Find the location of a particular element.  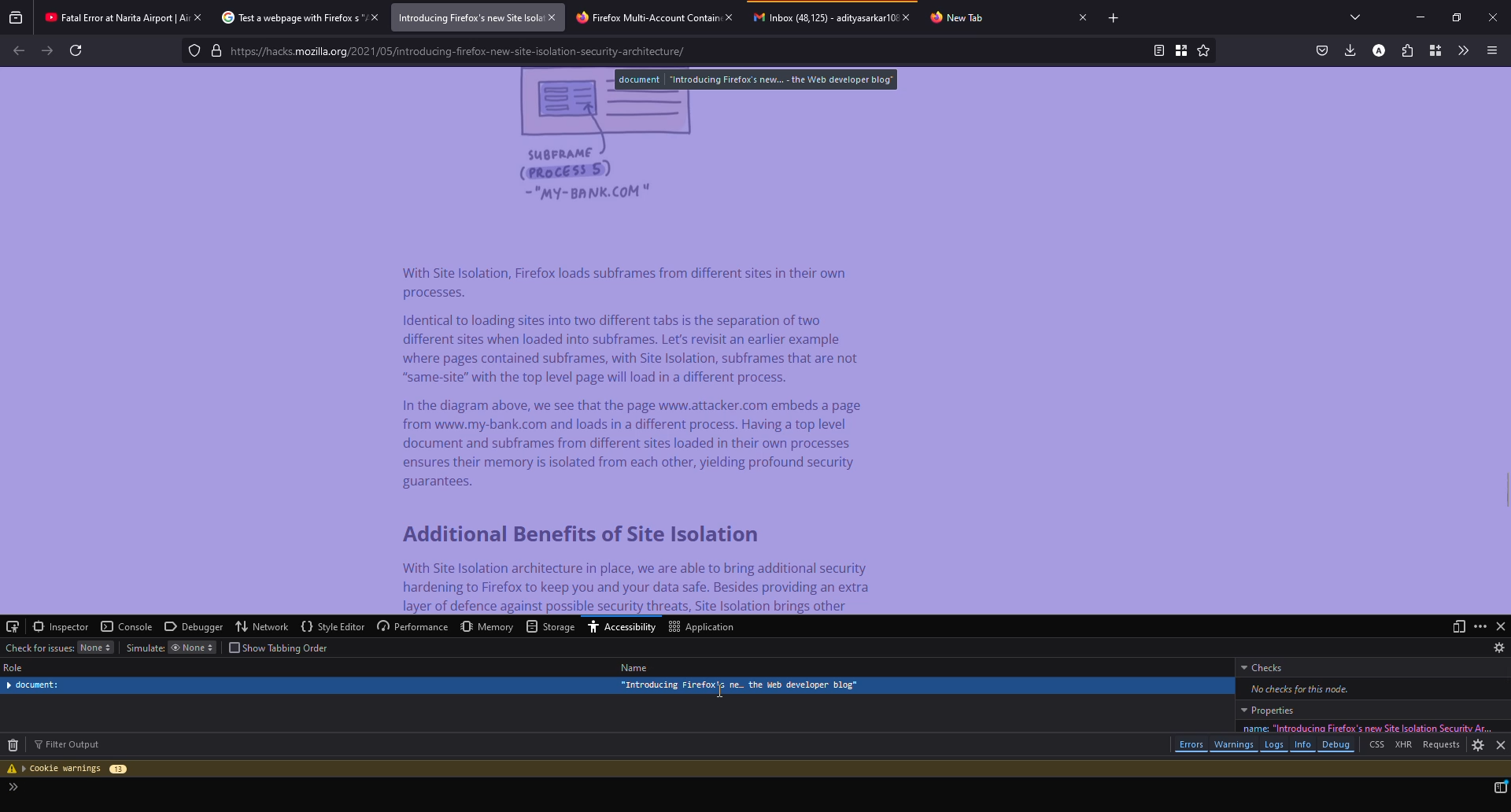

With Site Isolation, Firefox loads subframes from different sites in their own
processes.

Identical to loading sites into two different tabs is the separation of two
different sites when loaded into subframes. Let's revisit an earlier example
where pages contained subframes, with Site Isolation, subframes that are not
“same-site” with the top level page will load in a different process.

In the diagram above, we see that the page www.attacker.com embeds a page
from www.my-bank.com and loads in a different process. Having a top level
document and subframes from different sites loaded in their own processes
ensures their memory is isolated from each other, yielding profound security
guarantees.

Additional Benefits of Site Isolation

With Site Isolation architecture in place, we are able to bring additional security
hardening to Firefox to keep you and your data safe. Besides providing an extra
Rear of clhdiambet Icnkinas het lio devine Shut ei ho SS he is located at coordinates (639, 436).